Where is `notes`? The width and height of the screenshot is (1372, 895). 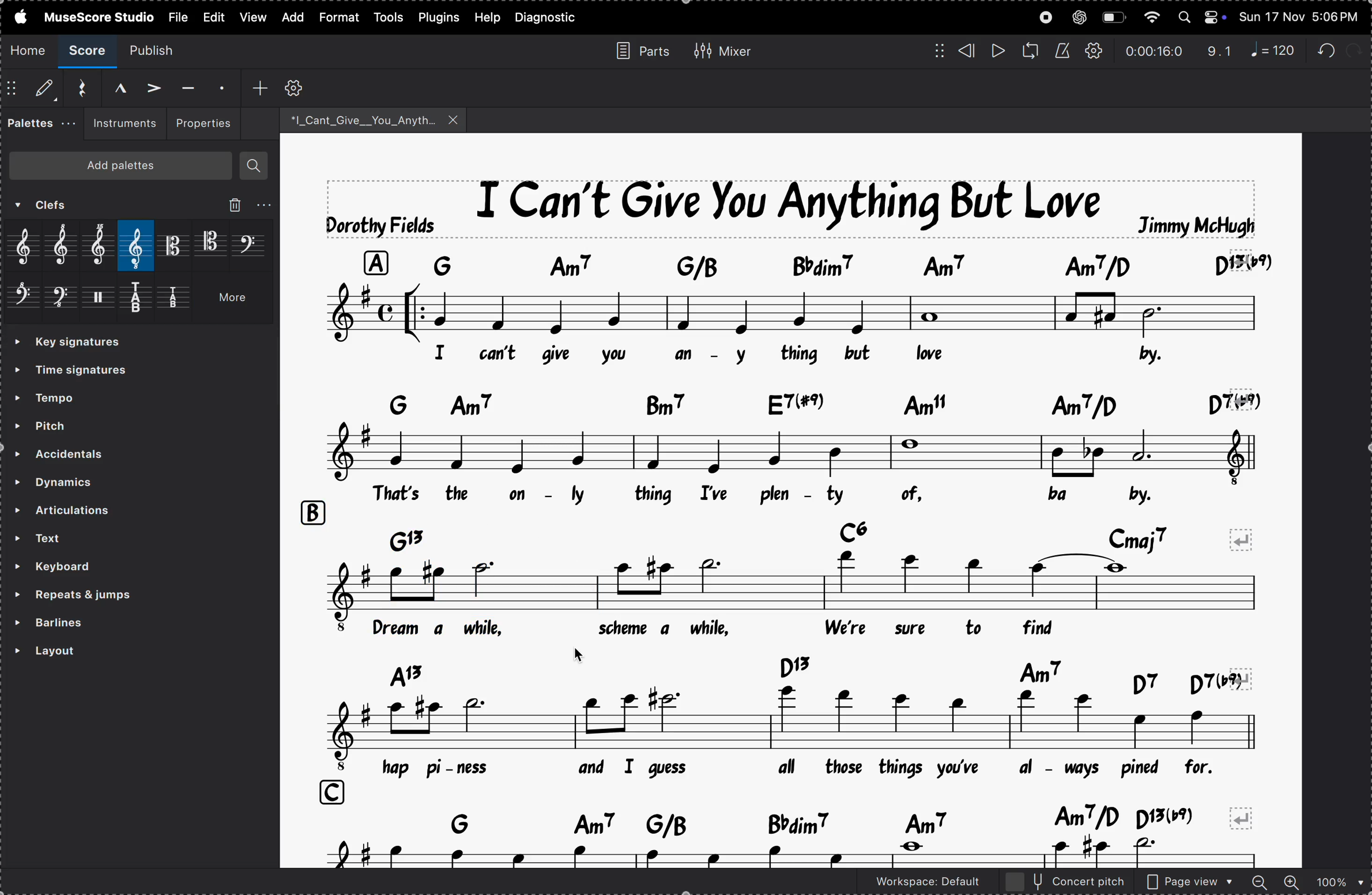 notes is located at coordinates (798, 854).